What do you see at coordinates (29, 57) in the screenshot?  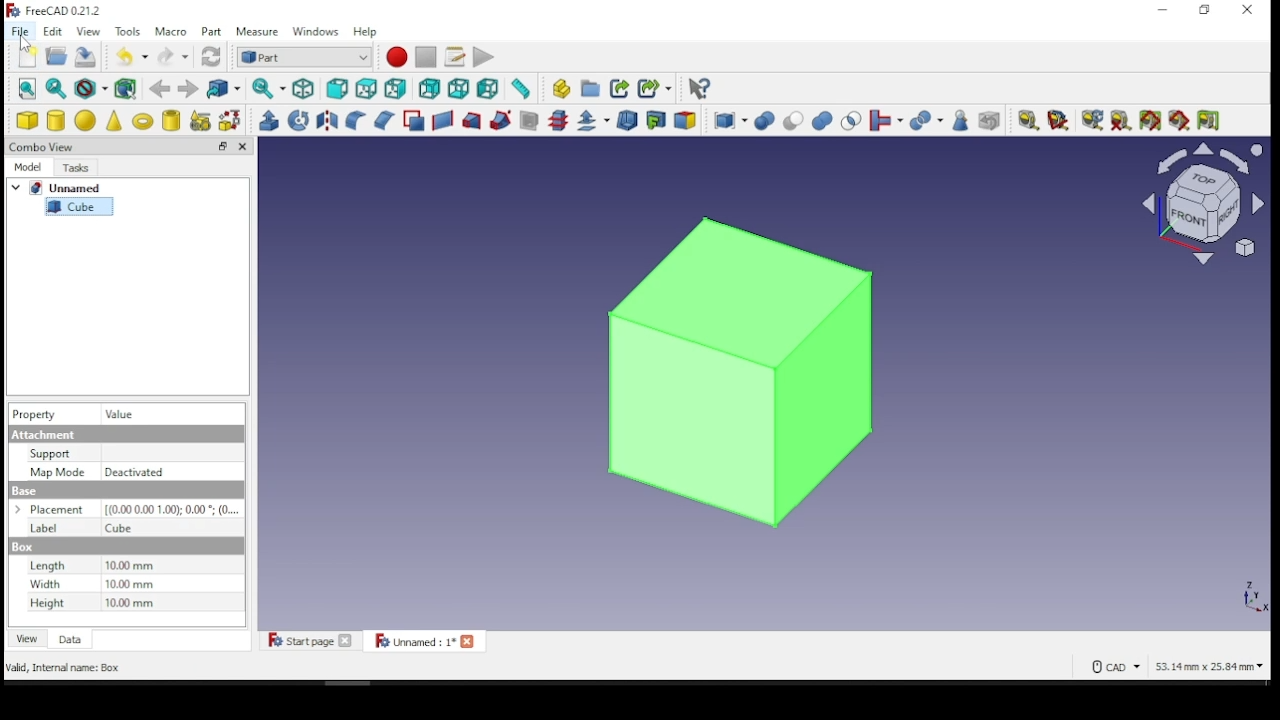 I see `new` at bounding box center [29, 57].